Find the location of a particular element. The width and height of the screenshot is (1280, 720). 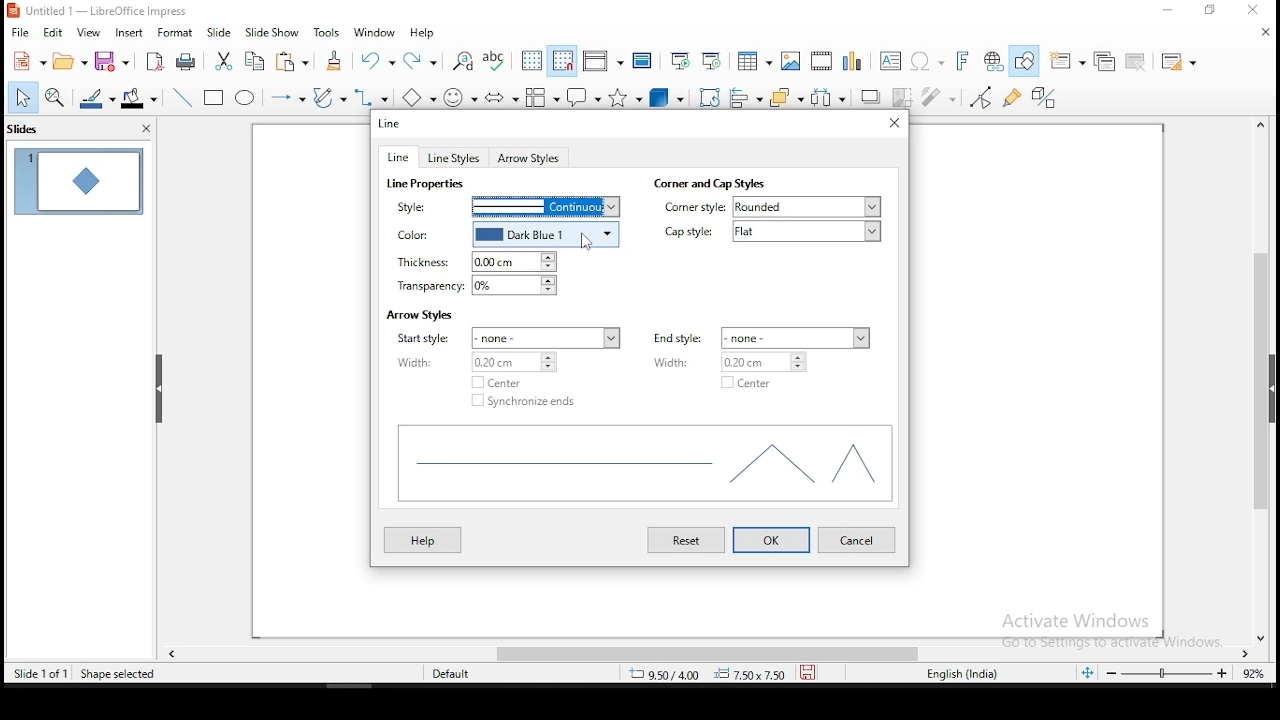

hwlp is located at coordinates (423, 540).